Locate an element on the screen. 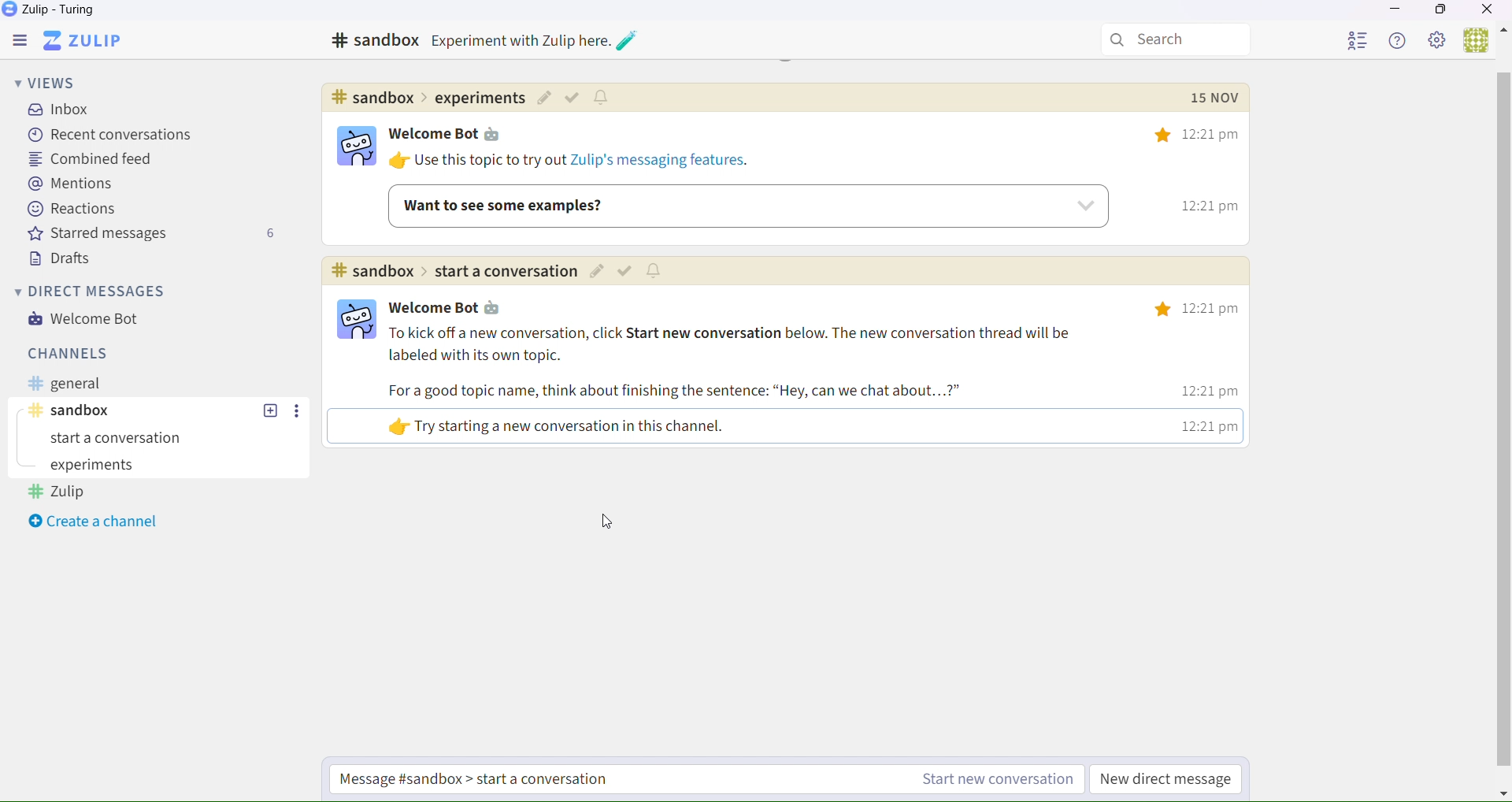 The image size is (1512, 802). Start a new conversation is located at coordinates (548, 780).